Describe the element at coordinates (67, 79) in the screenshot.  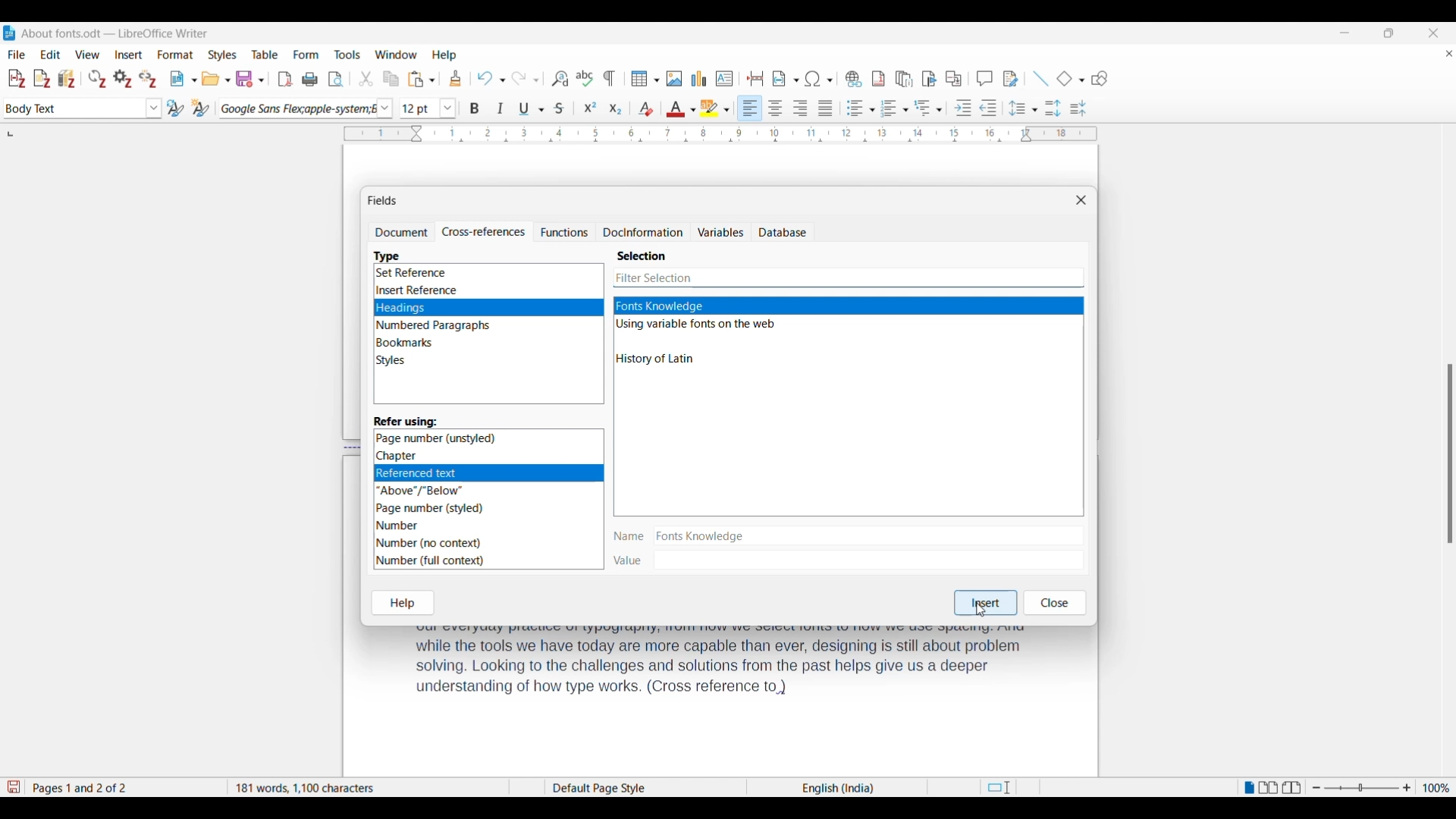
I see `Add/Edit bibliography` at that location.